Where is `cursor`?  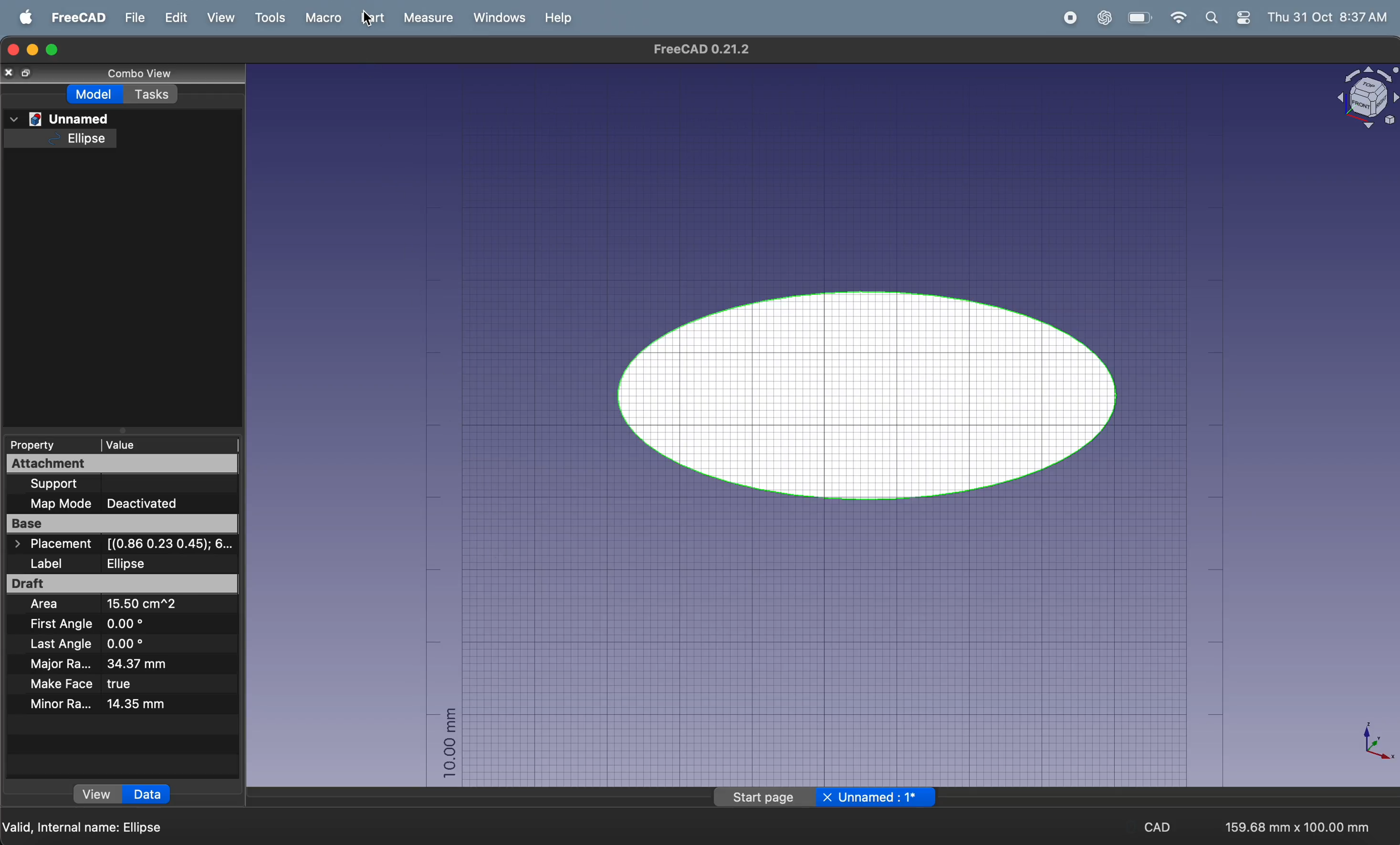 cursor is located at coordinates (367, 20).